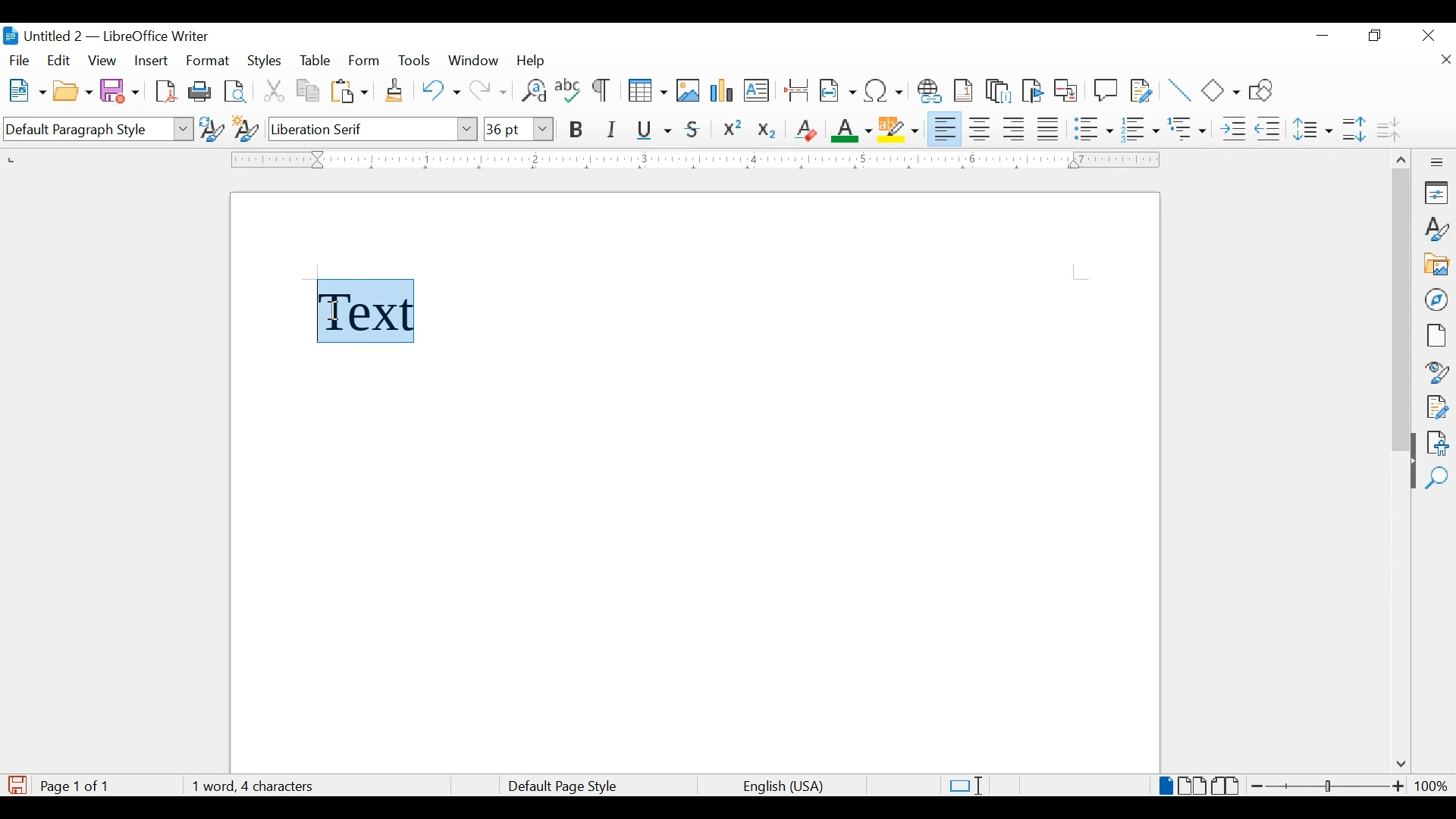 This screenshot has height=819, width=1456. Describe the element at coordinates (1194, 786) in the screenshot. I see `multi page view` at that location.